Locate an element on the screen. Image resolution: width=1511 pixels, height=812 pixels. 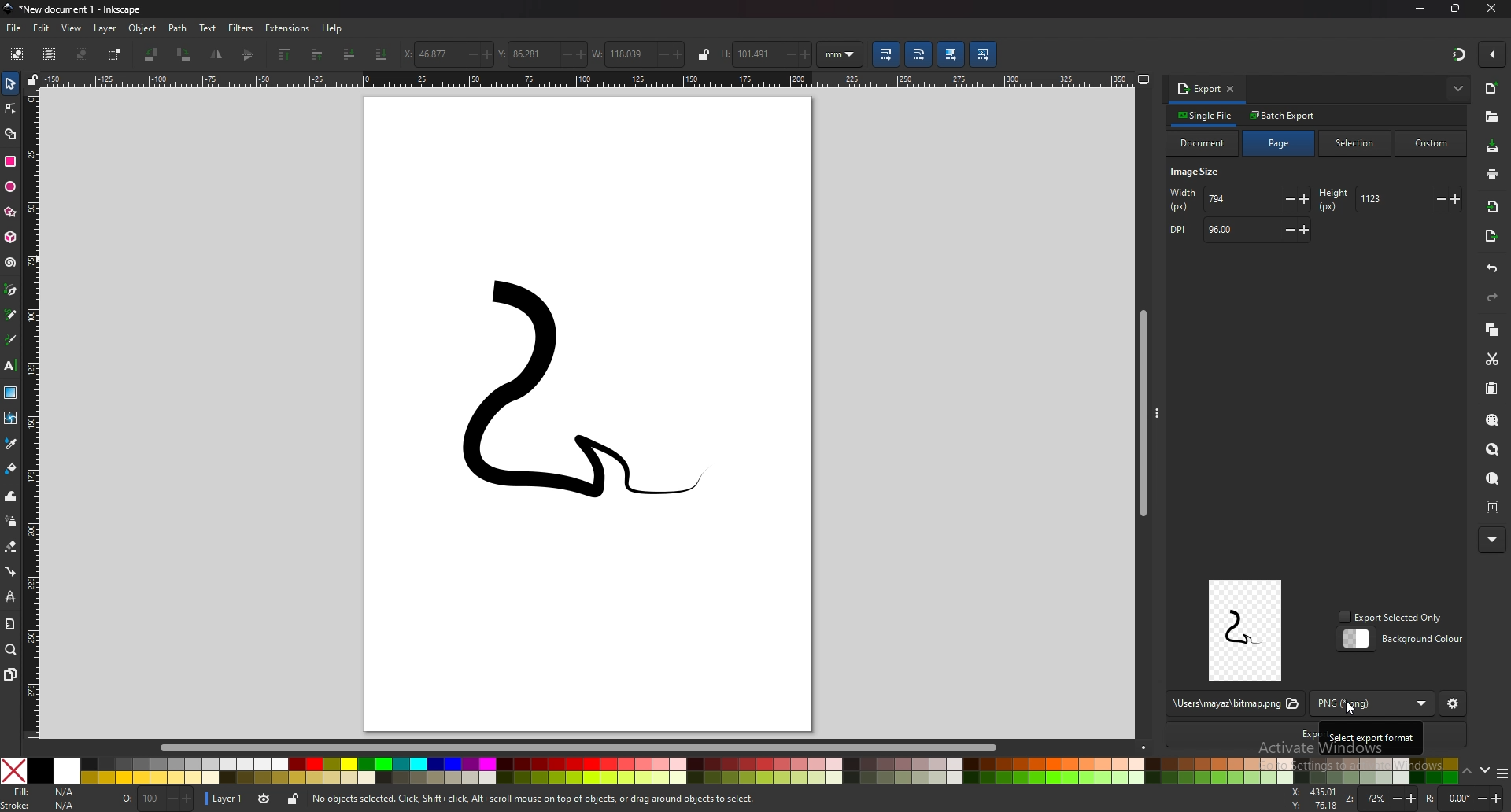
help is located at coordinates (333, 29).